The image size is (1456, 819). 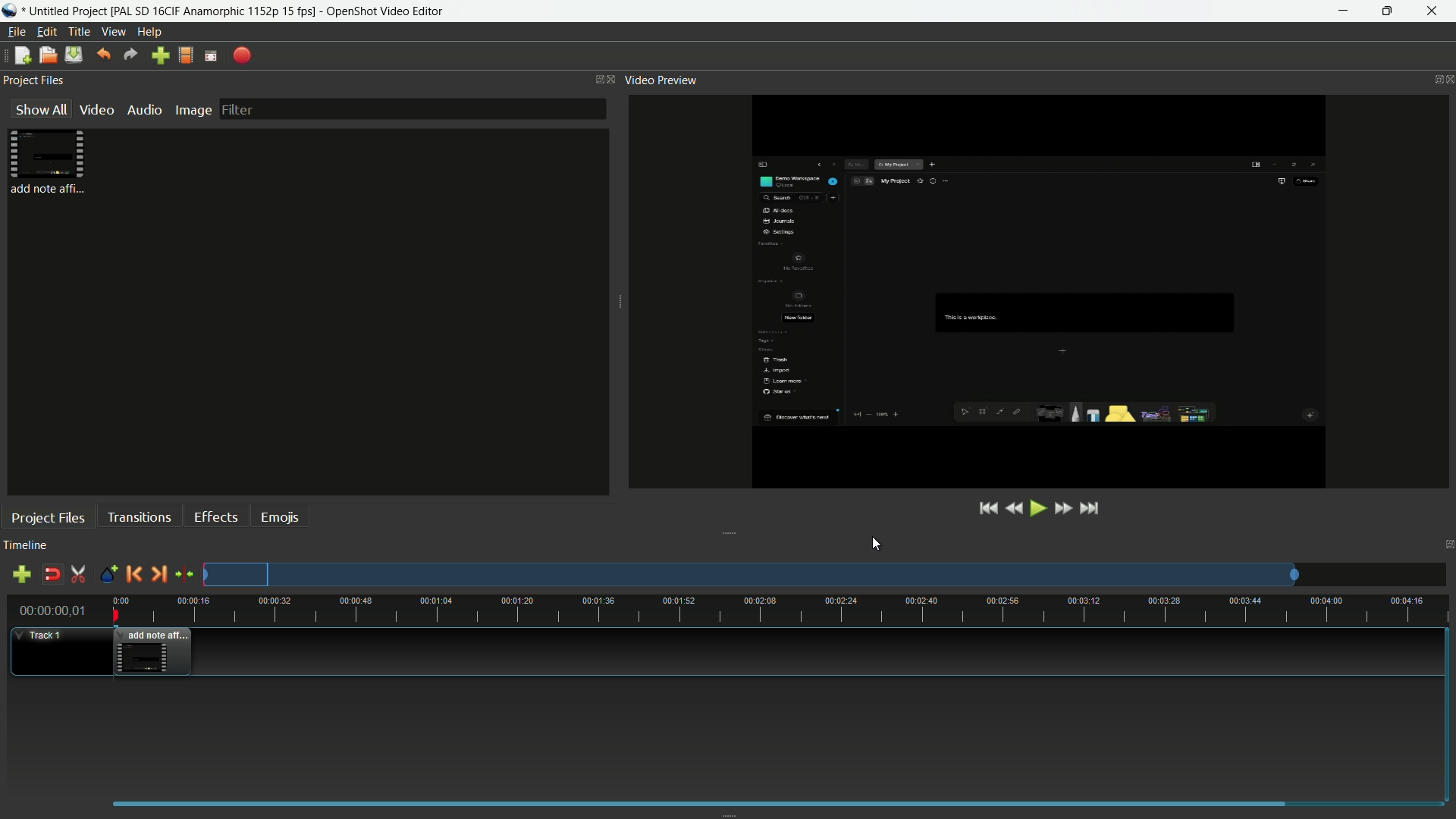 What do you see at coordinates (159, 574) in the screenshot?
I see `next marker` at bounding box center [159, 574].